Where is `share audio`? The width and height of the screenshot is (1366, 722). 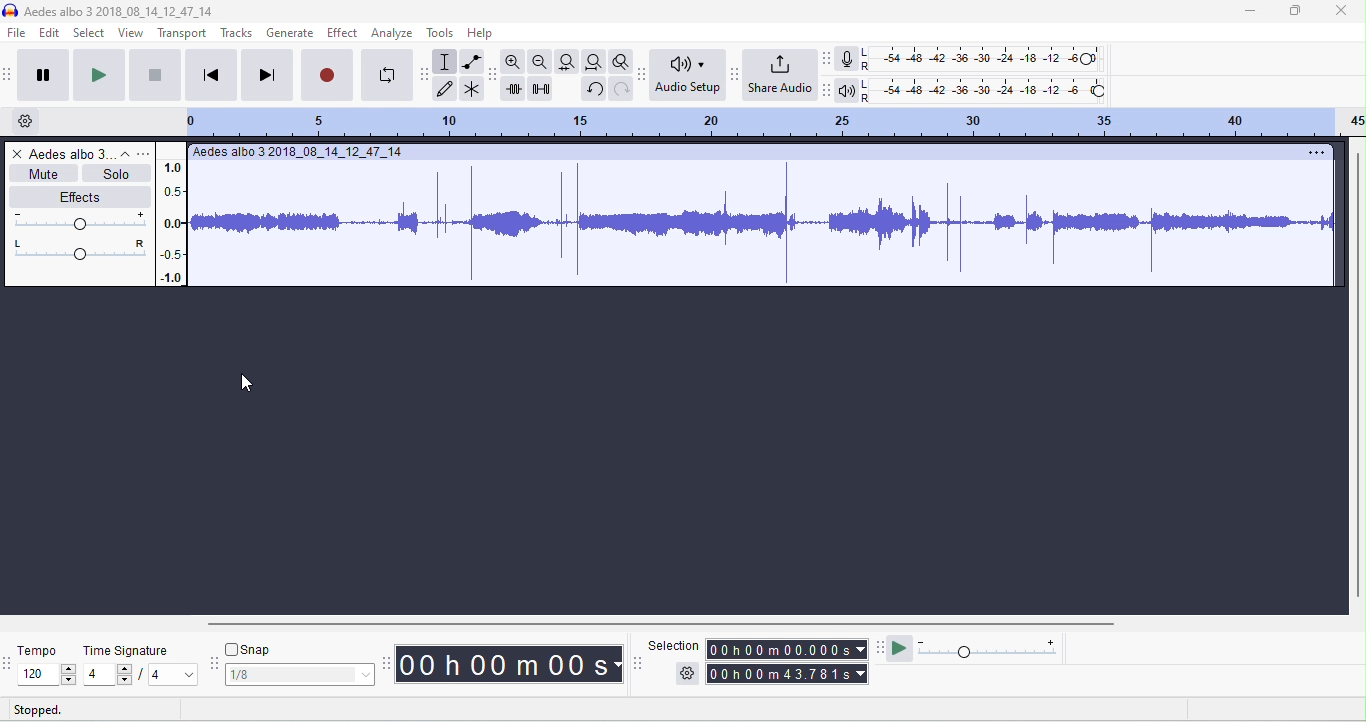 share audio is located at coordinates (781, 74).